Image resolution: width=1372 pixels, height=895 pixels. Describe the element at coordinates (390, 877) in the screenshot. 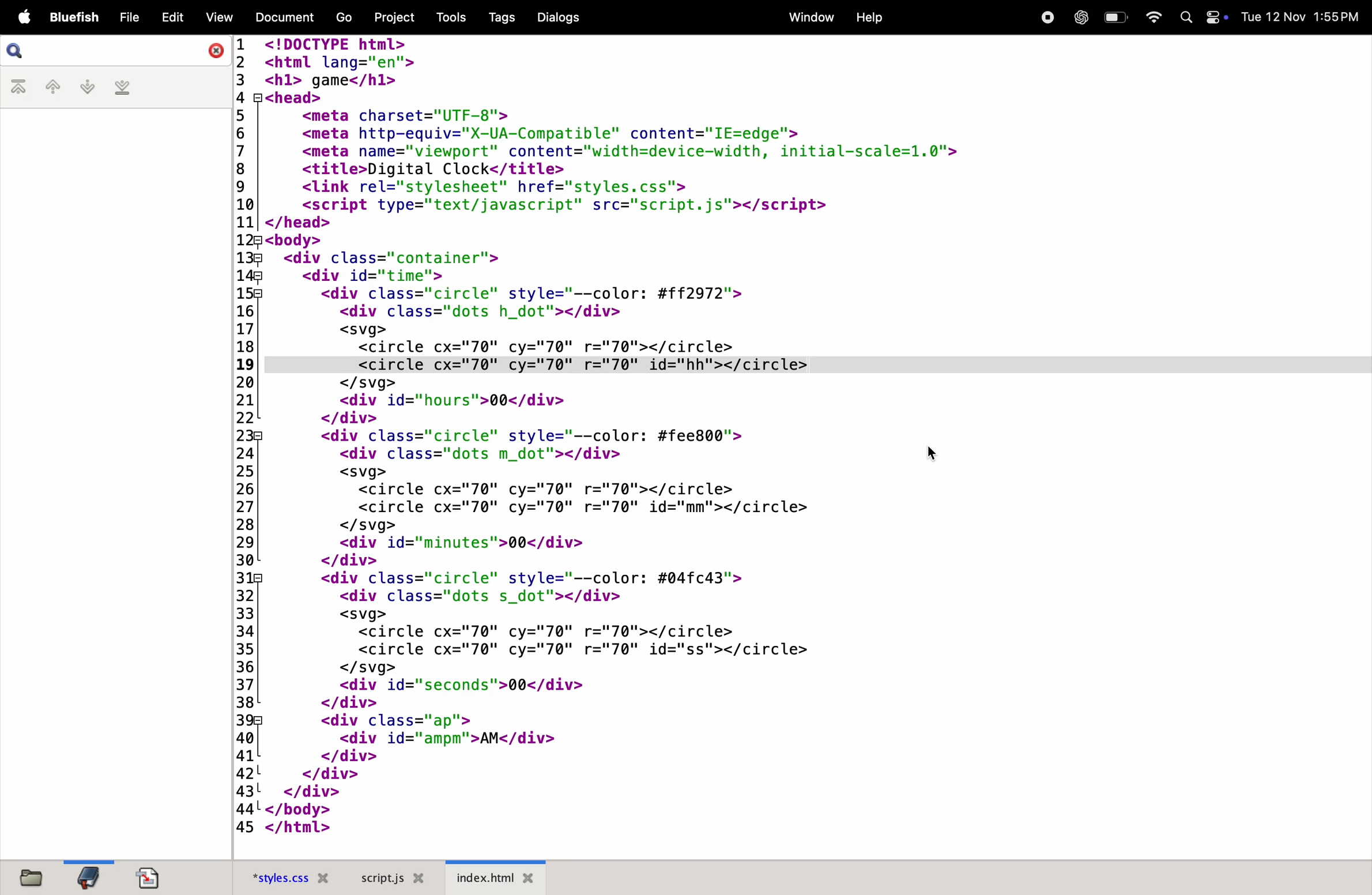

I see `script.js` at that location.